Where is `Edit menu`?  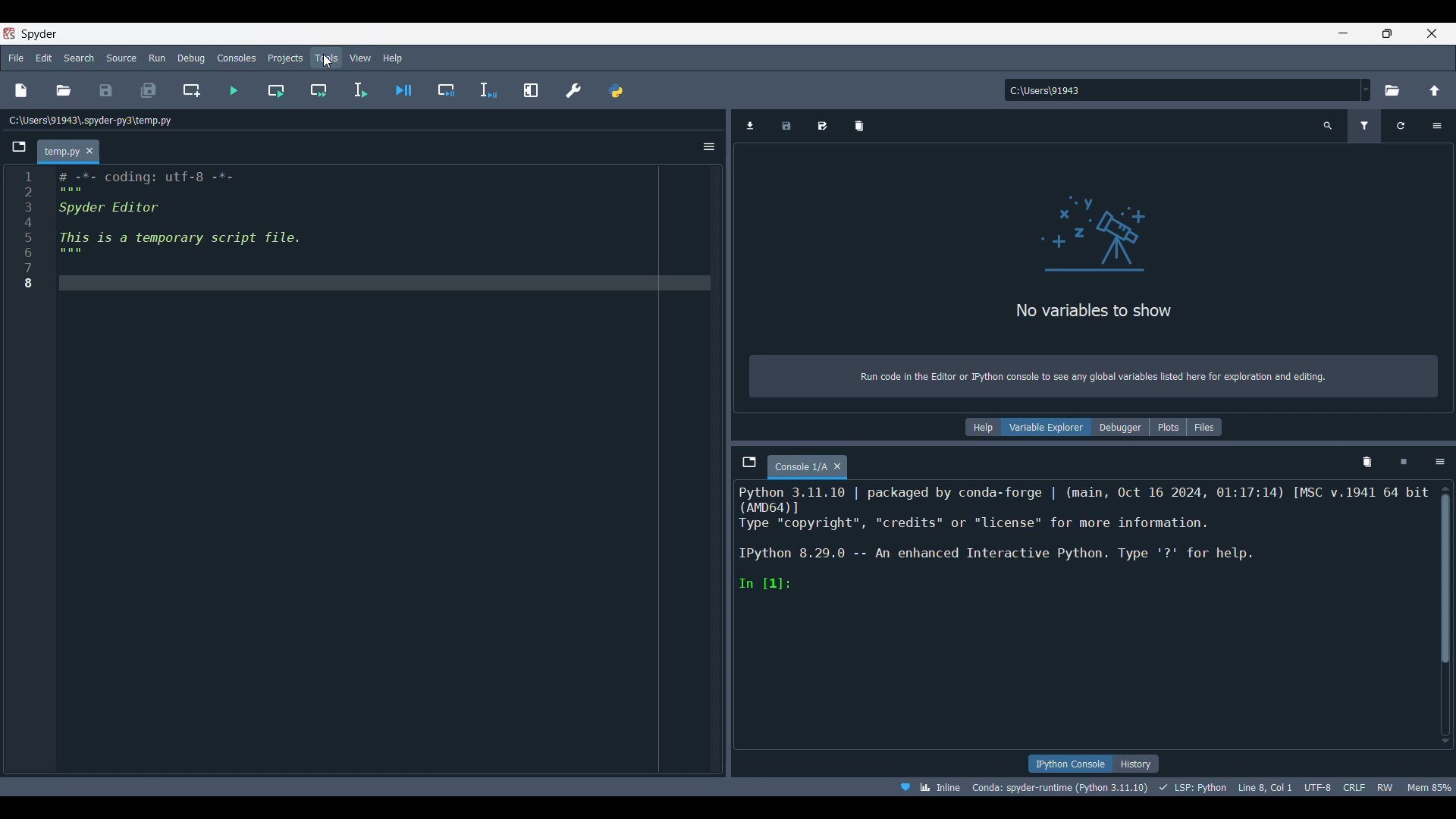 Edit menu is located at coordinates (43, 58).